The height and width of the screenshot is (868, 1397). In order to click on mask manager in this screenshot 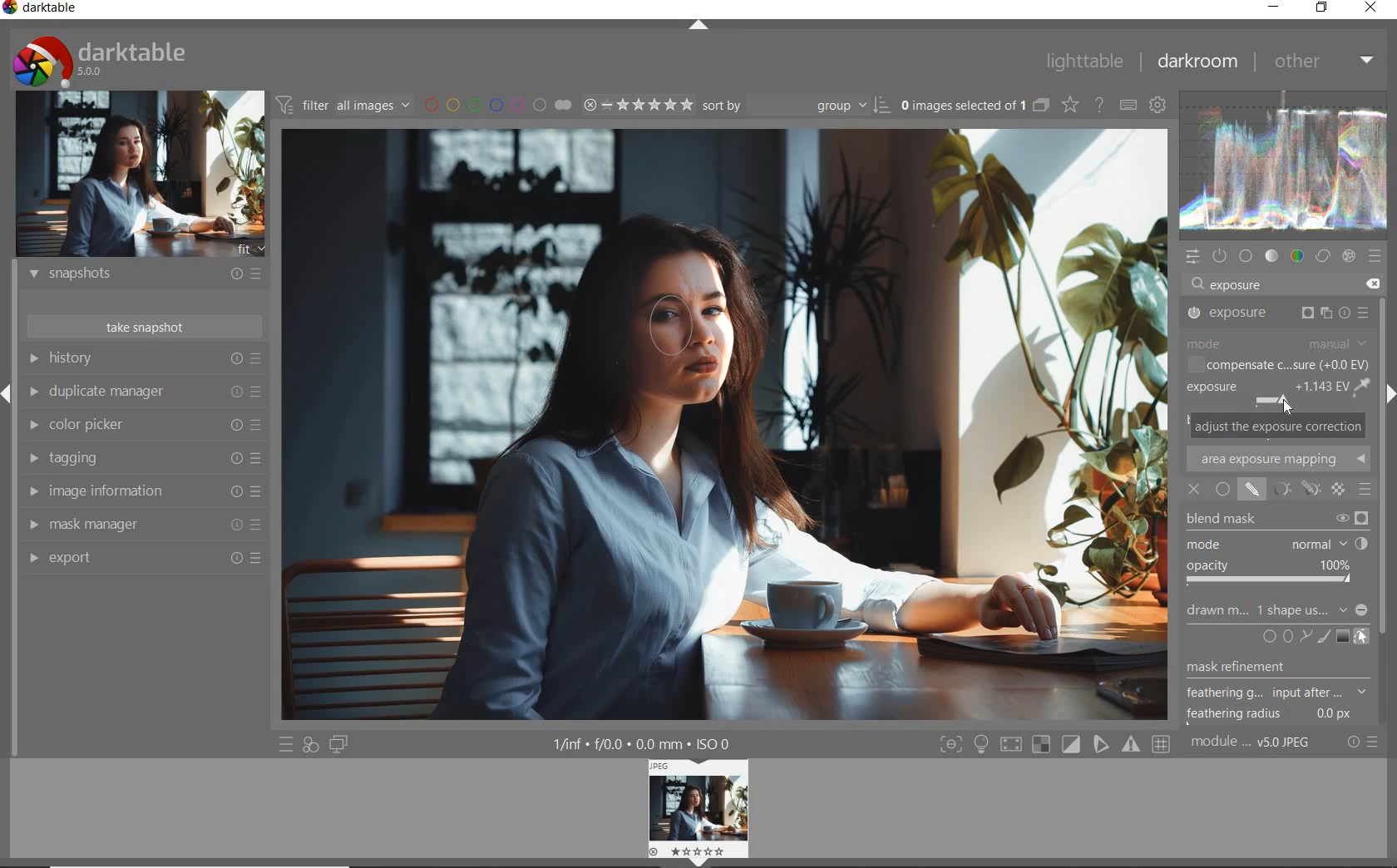, I will do `click(141, 523)`.